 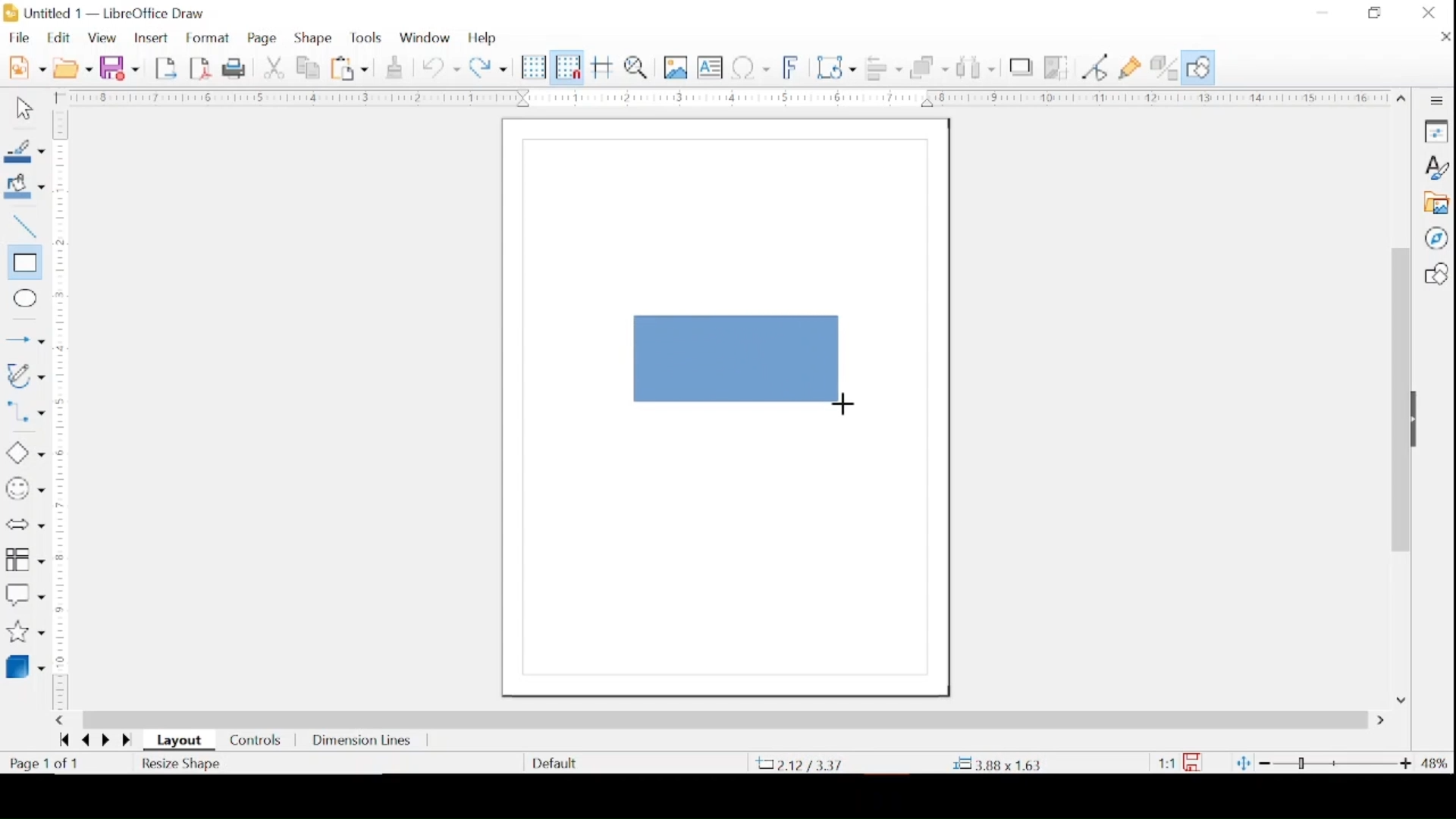 I want to click on cut, so click(x=275, y=67).